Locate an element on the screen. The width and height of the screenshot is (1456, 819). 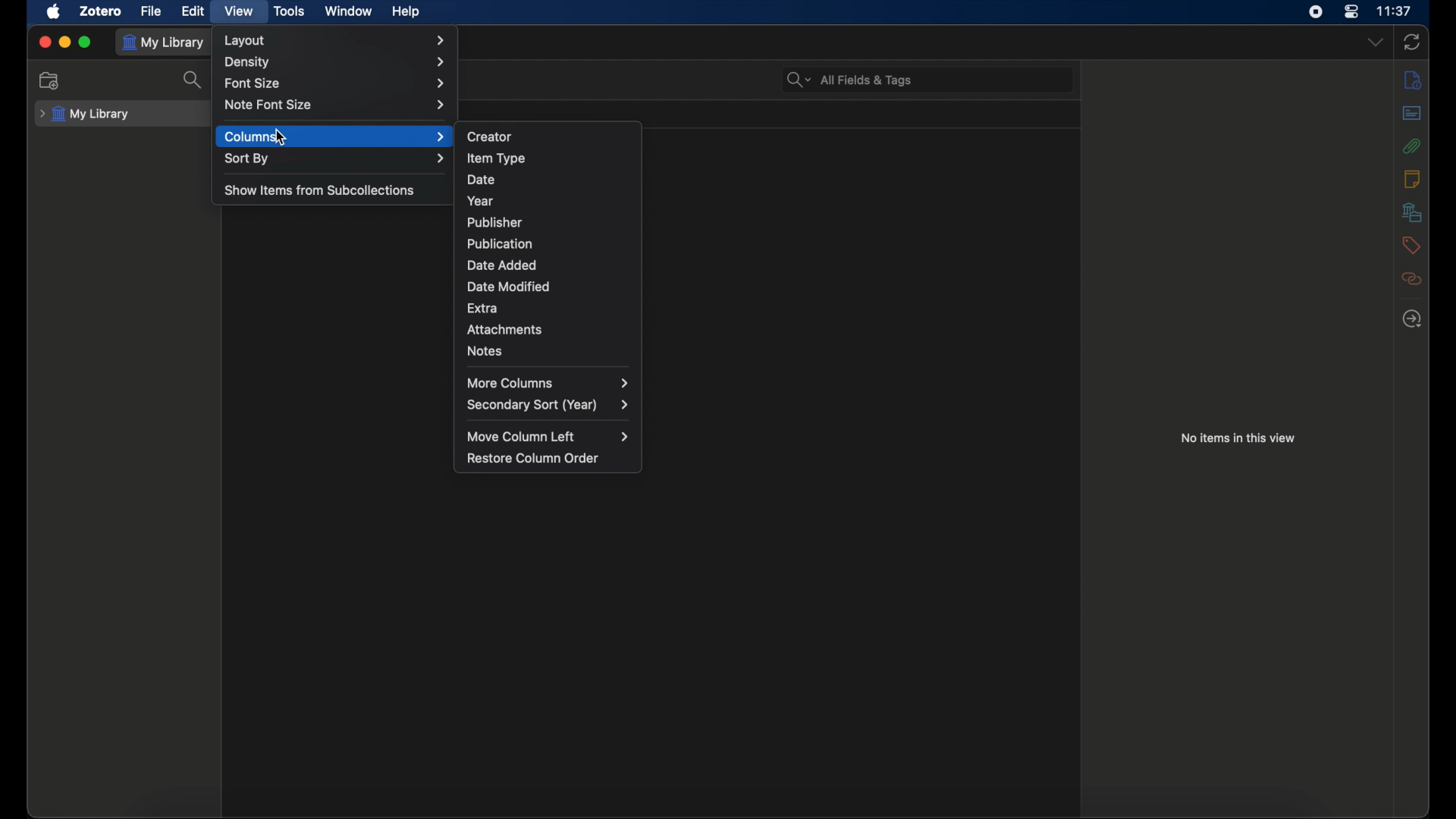
creator is located at coordinates (491, 135).